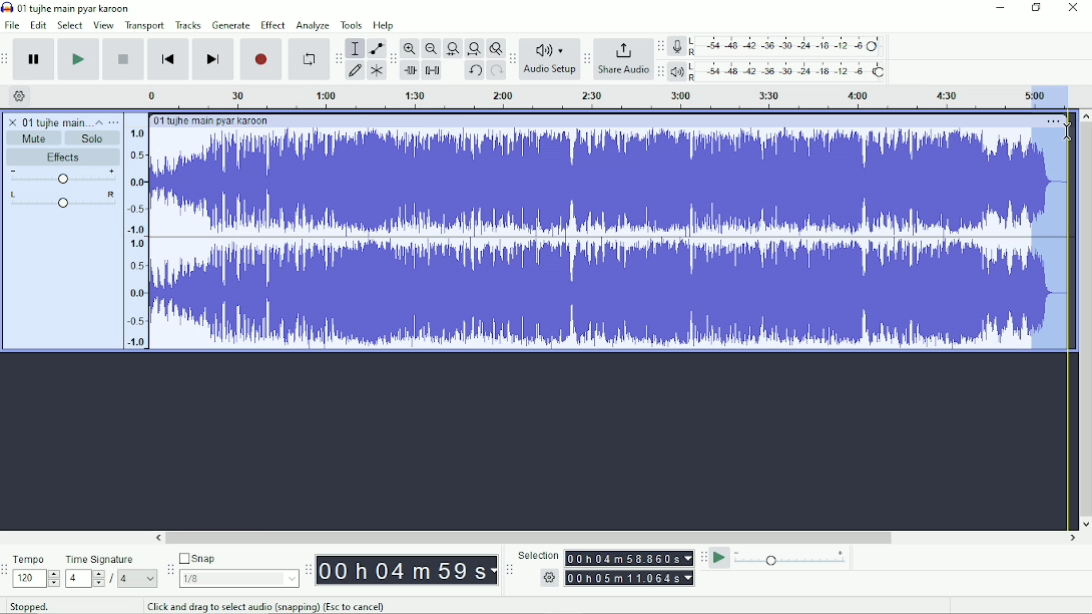 This screenshot has width=1092, height=614. I want to click on 00h00m00.000s, so click(630, 578).